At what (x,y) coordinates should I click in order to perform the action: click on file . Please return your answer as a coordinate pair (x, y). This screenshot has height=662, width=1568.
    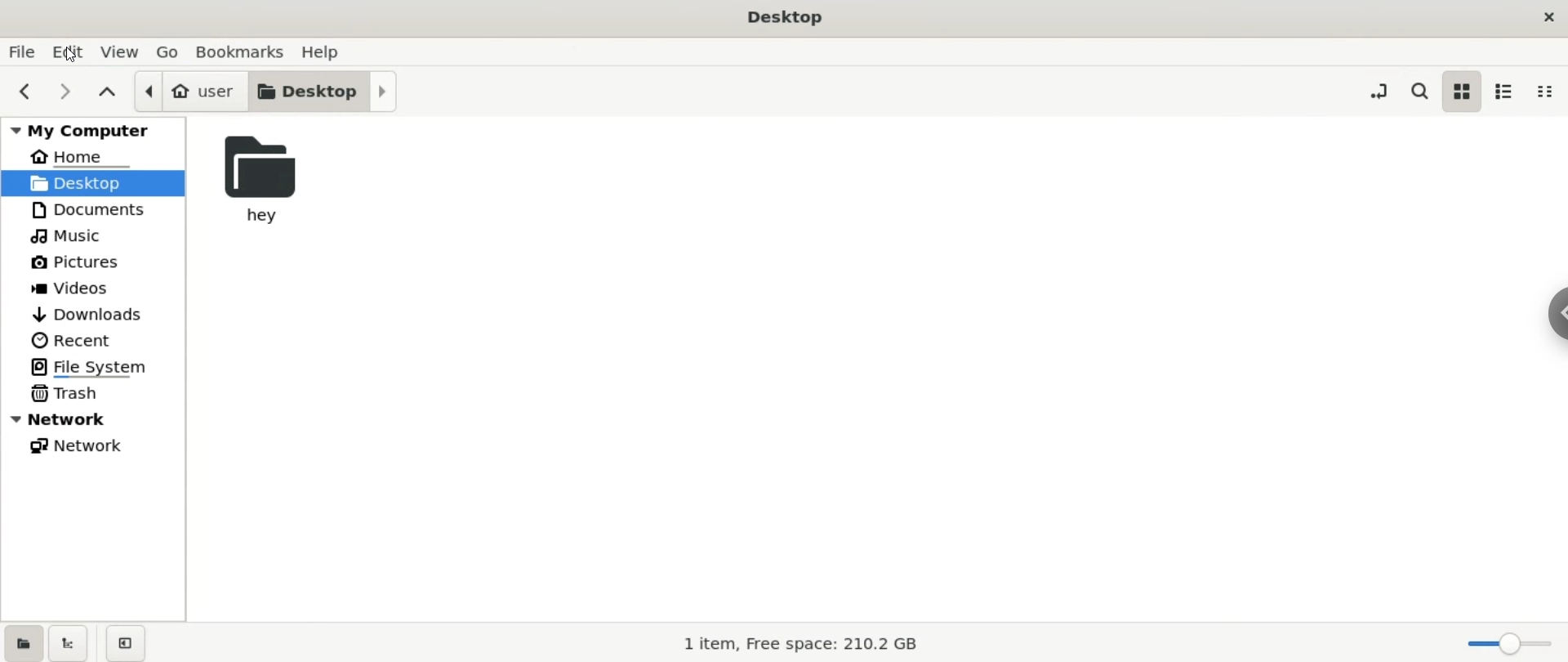
    Looking at the image, I should click on (22, 52).